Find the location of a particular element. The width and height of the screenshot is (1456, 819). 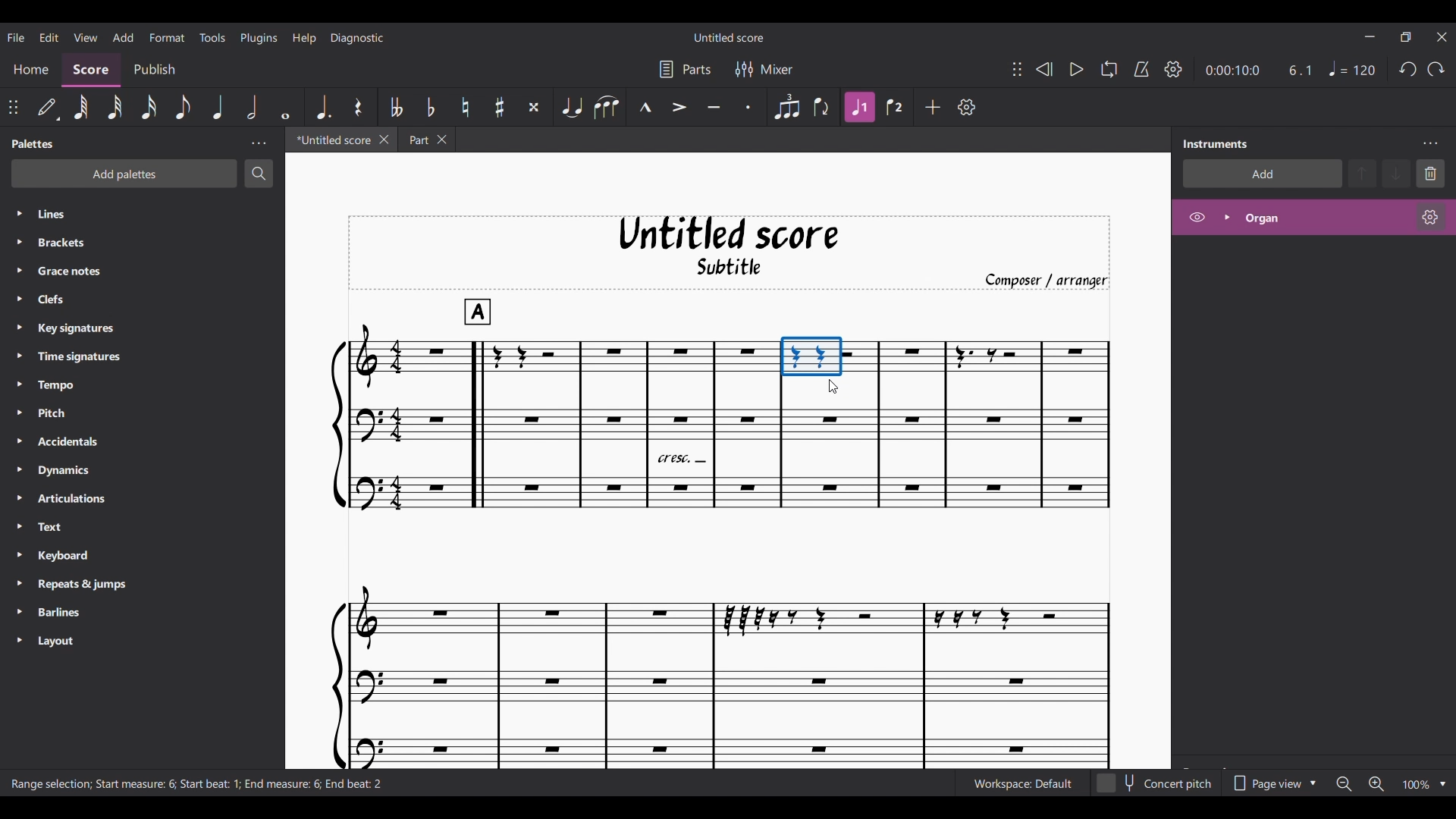

Score name is located at coordinates (730, 36).